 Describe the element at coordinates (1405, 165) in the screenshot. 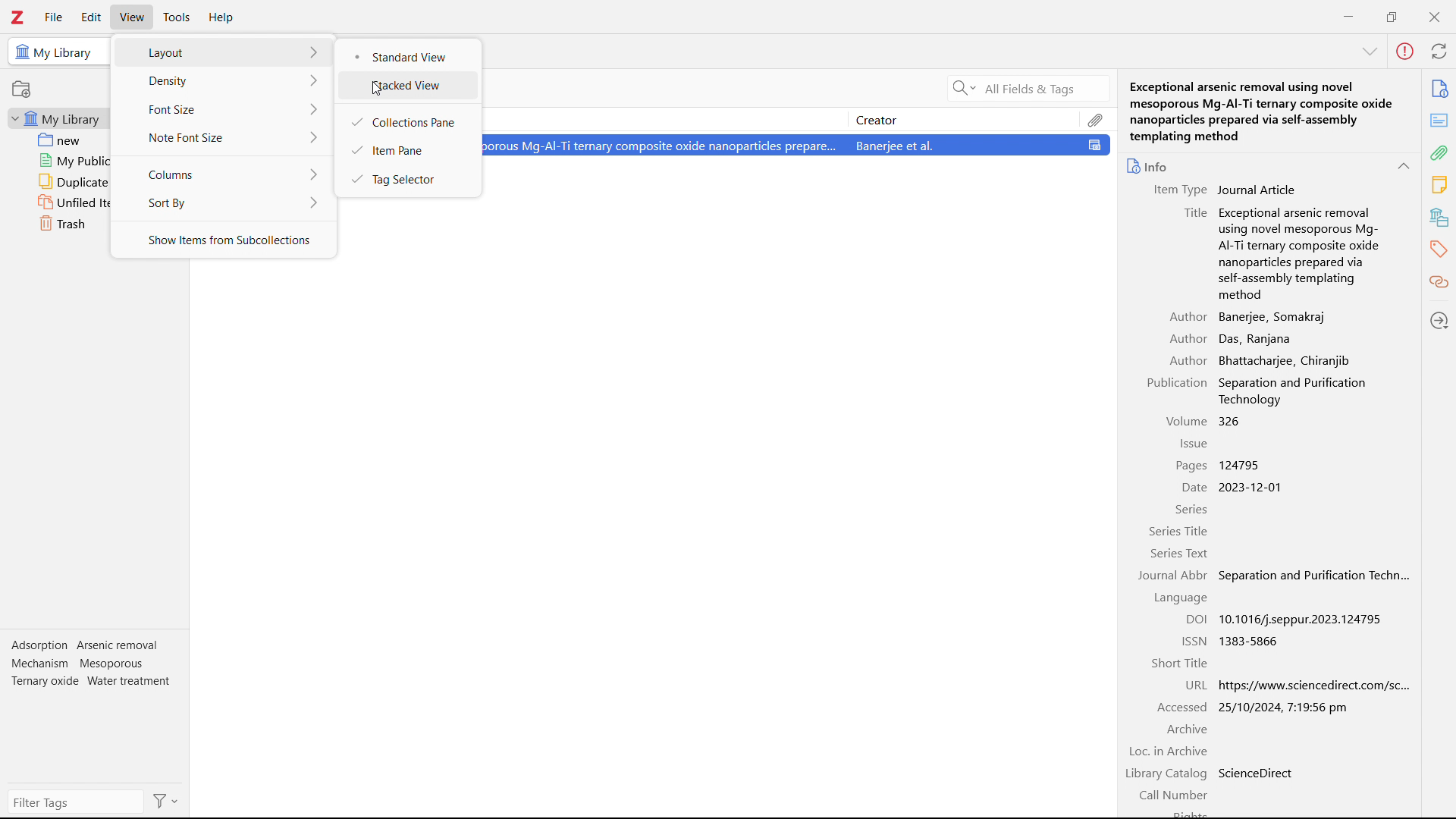

I see `collapse info` at that location.